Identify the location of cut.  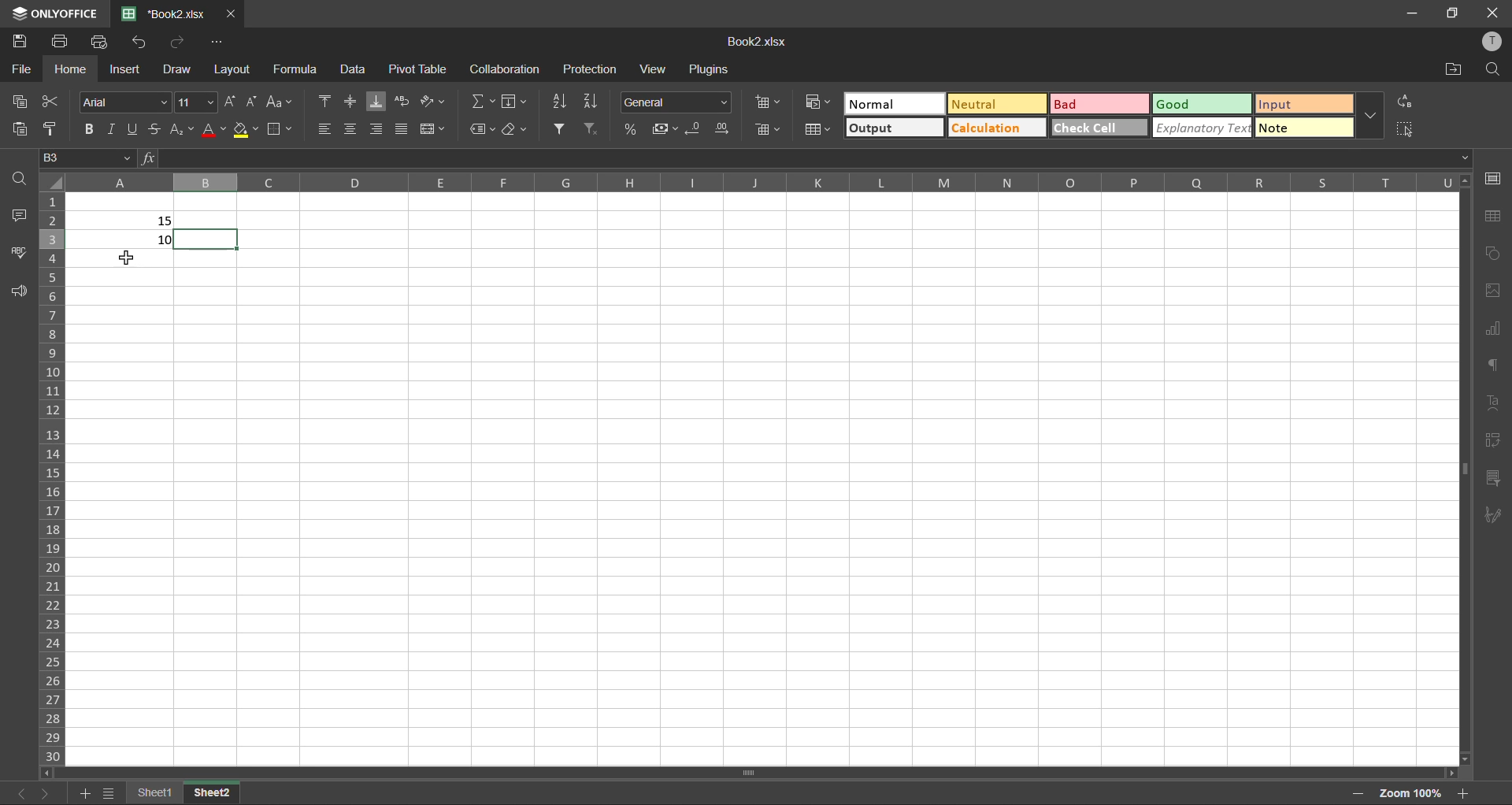
(49, 102).